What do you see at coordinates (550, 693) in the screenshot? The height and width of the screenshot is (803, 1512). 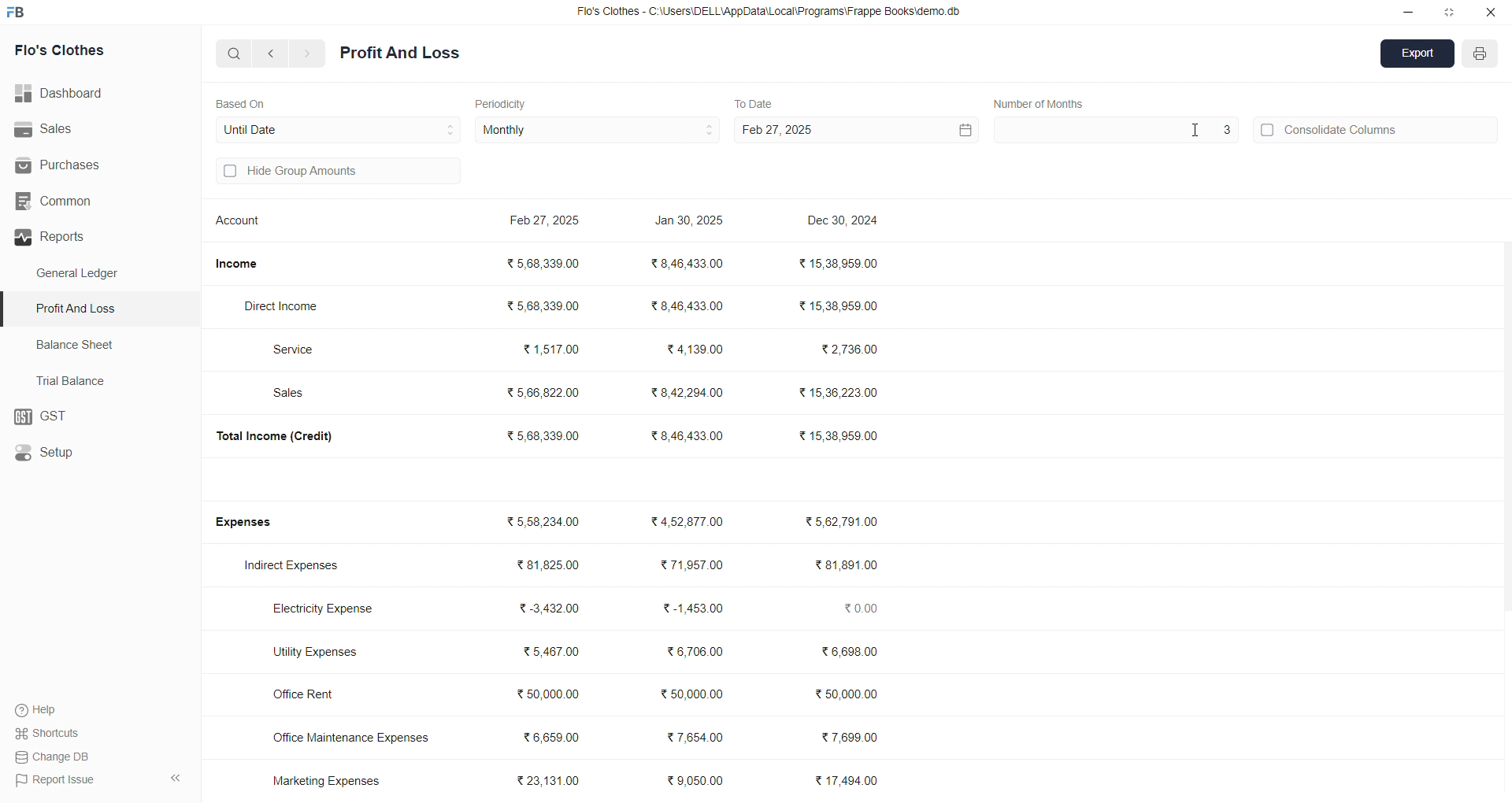 I see `₹50,000.00` at bounding box center [550, 693].